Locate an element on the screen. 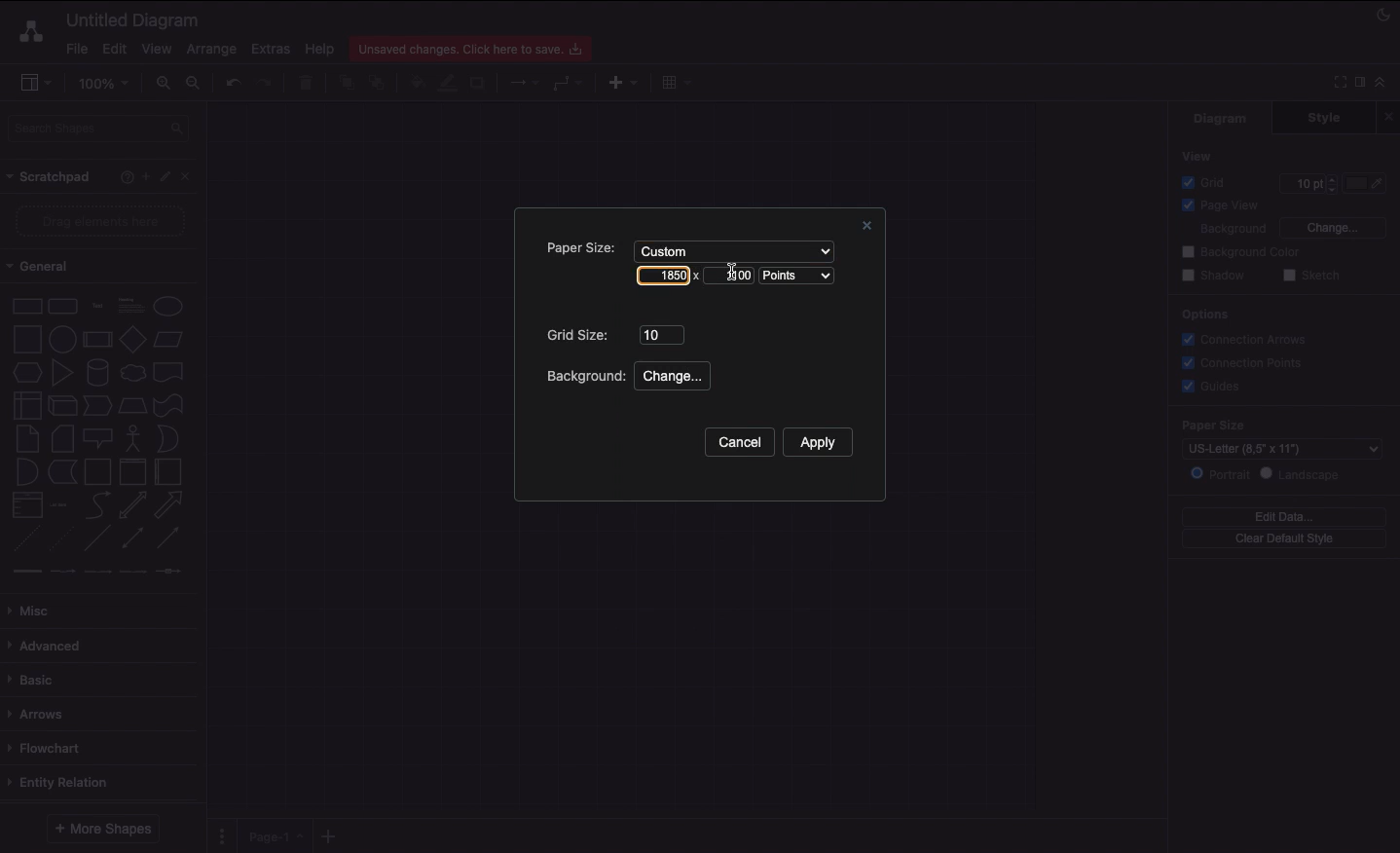 Image resolution: width=1400 pixels, height=853 pixels. Sidebar  is located at coordinates (35, 84).